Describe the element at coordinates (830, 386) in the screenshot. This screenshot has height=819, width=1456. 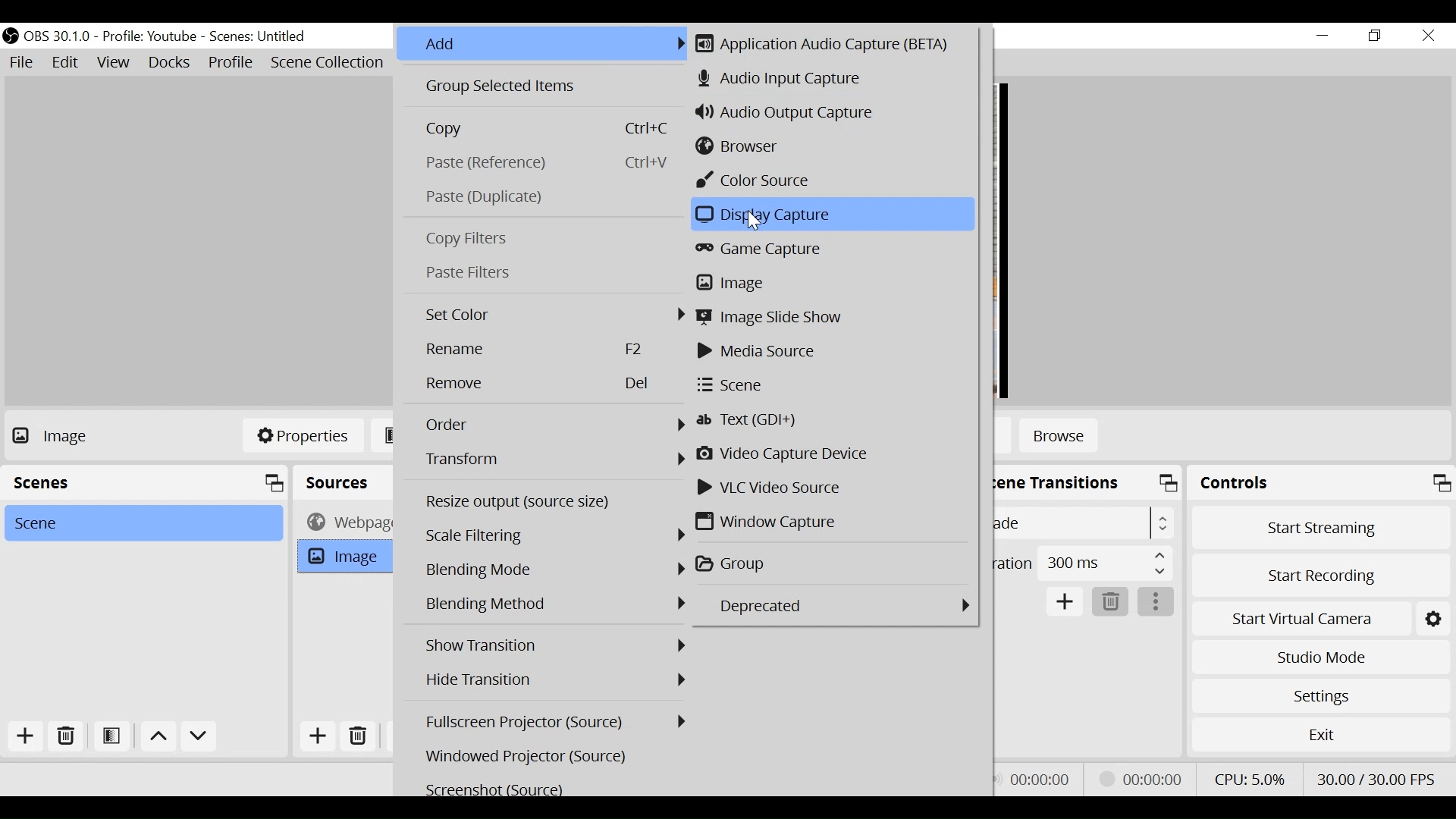
I see `Scene` at that location.